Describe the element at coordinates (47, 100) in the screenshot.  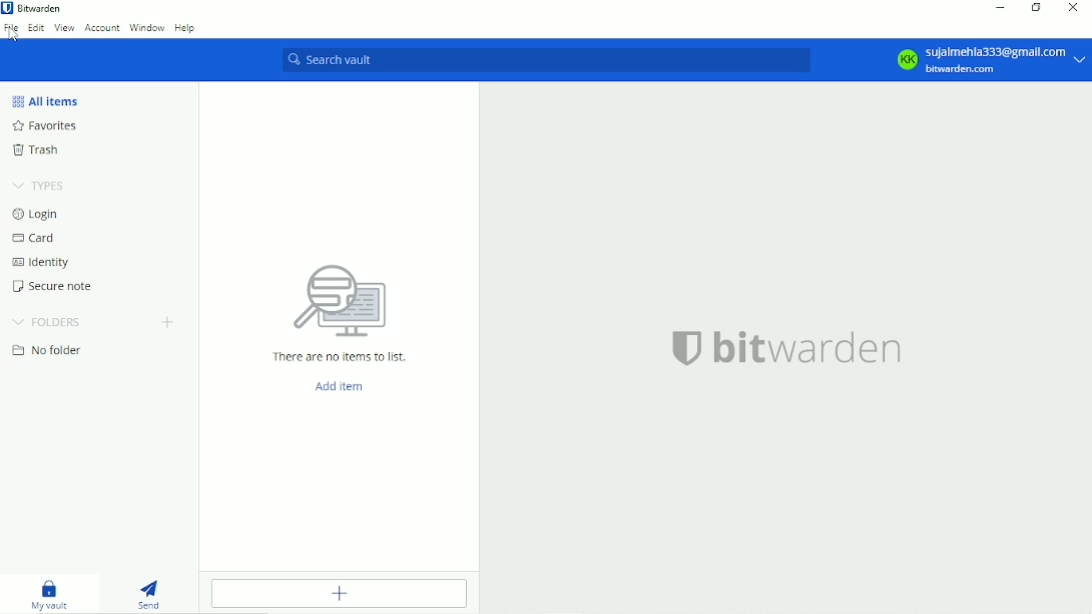
I see `All items` at that location.